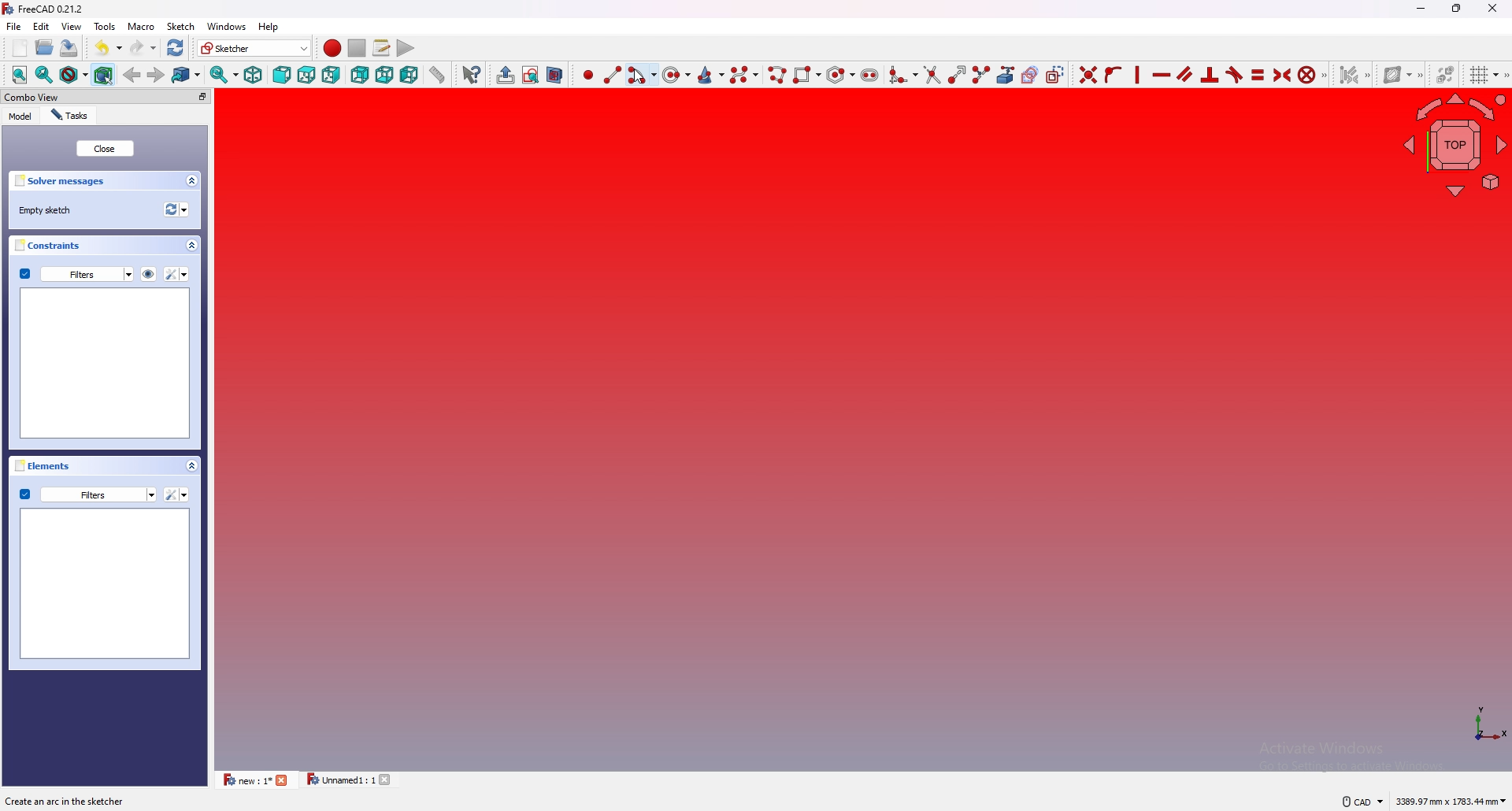  What do you see at coordinates (19, 75) in the screenshot?
I see `fit all` at bounding box center [19, 75].